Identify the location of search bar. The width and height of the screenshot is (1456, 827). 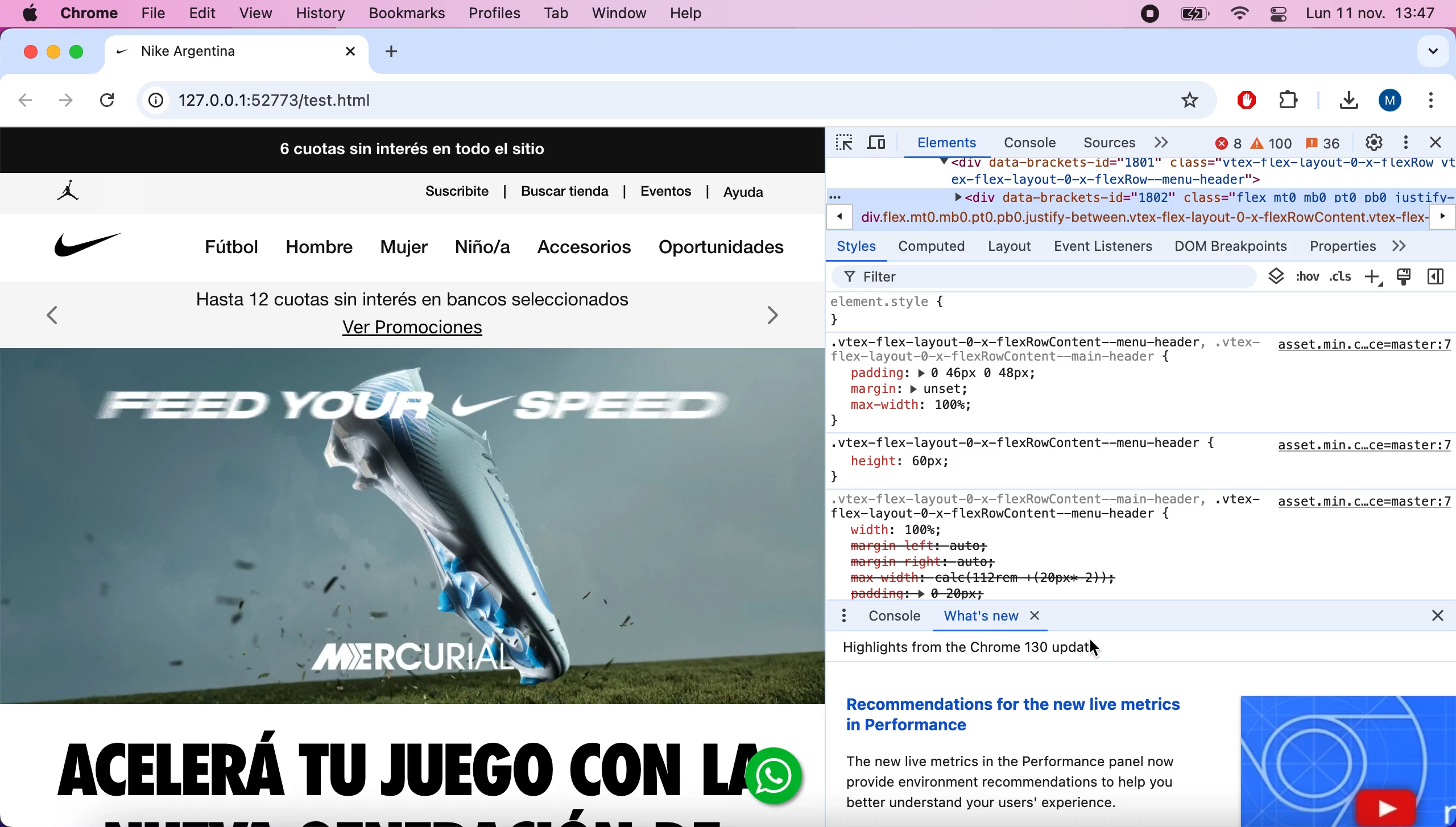
(675, 101).